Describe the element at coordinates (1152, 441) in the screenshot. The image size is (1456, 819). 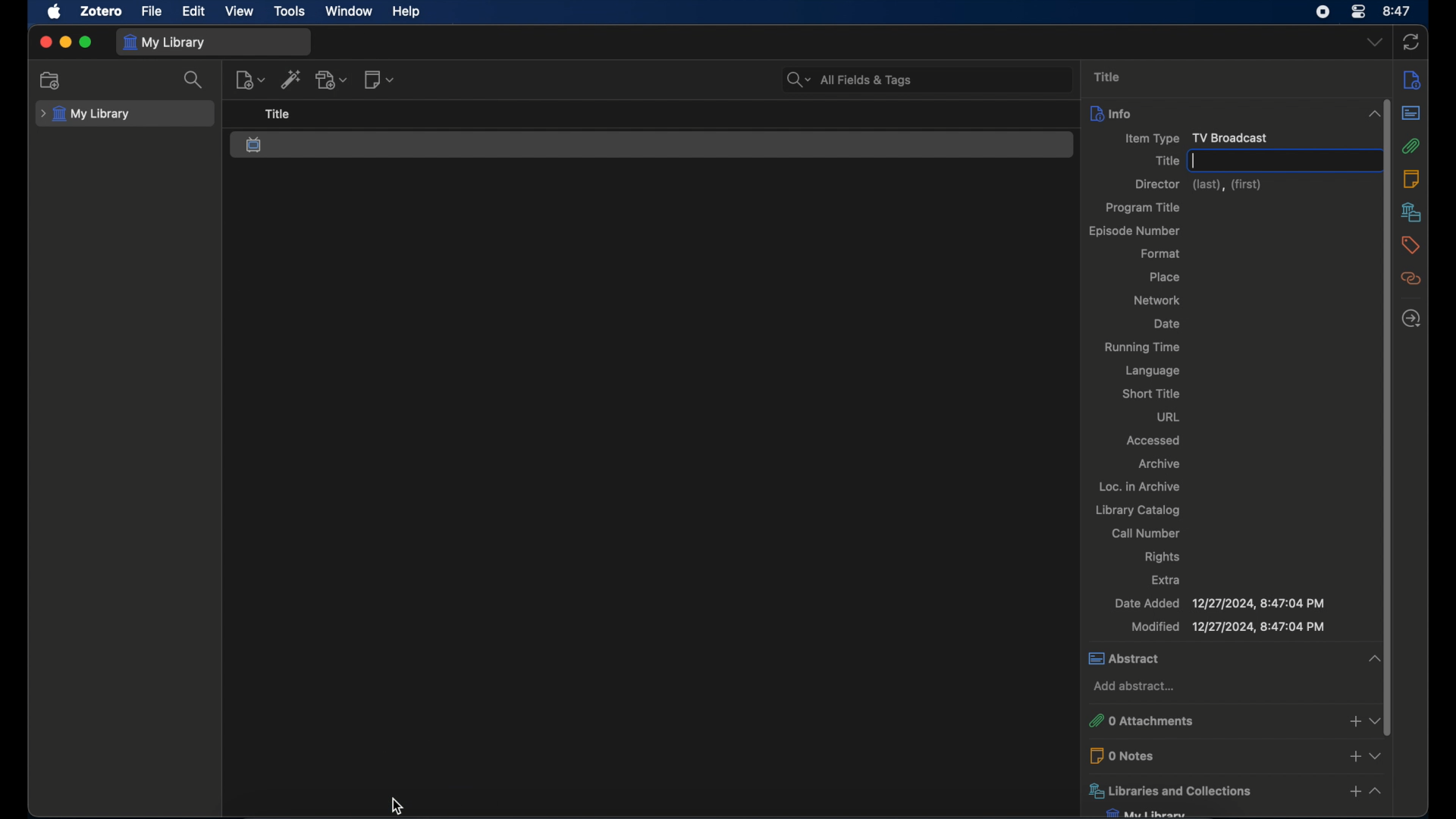
I see `accessed` at that location.